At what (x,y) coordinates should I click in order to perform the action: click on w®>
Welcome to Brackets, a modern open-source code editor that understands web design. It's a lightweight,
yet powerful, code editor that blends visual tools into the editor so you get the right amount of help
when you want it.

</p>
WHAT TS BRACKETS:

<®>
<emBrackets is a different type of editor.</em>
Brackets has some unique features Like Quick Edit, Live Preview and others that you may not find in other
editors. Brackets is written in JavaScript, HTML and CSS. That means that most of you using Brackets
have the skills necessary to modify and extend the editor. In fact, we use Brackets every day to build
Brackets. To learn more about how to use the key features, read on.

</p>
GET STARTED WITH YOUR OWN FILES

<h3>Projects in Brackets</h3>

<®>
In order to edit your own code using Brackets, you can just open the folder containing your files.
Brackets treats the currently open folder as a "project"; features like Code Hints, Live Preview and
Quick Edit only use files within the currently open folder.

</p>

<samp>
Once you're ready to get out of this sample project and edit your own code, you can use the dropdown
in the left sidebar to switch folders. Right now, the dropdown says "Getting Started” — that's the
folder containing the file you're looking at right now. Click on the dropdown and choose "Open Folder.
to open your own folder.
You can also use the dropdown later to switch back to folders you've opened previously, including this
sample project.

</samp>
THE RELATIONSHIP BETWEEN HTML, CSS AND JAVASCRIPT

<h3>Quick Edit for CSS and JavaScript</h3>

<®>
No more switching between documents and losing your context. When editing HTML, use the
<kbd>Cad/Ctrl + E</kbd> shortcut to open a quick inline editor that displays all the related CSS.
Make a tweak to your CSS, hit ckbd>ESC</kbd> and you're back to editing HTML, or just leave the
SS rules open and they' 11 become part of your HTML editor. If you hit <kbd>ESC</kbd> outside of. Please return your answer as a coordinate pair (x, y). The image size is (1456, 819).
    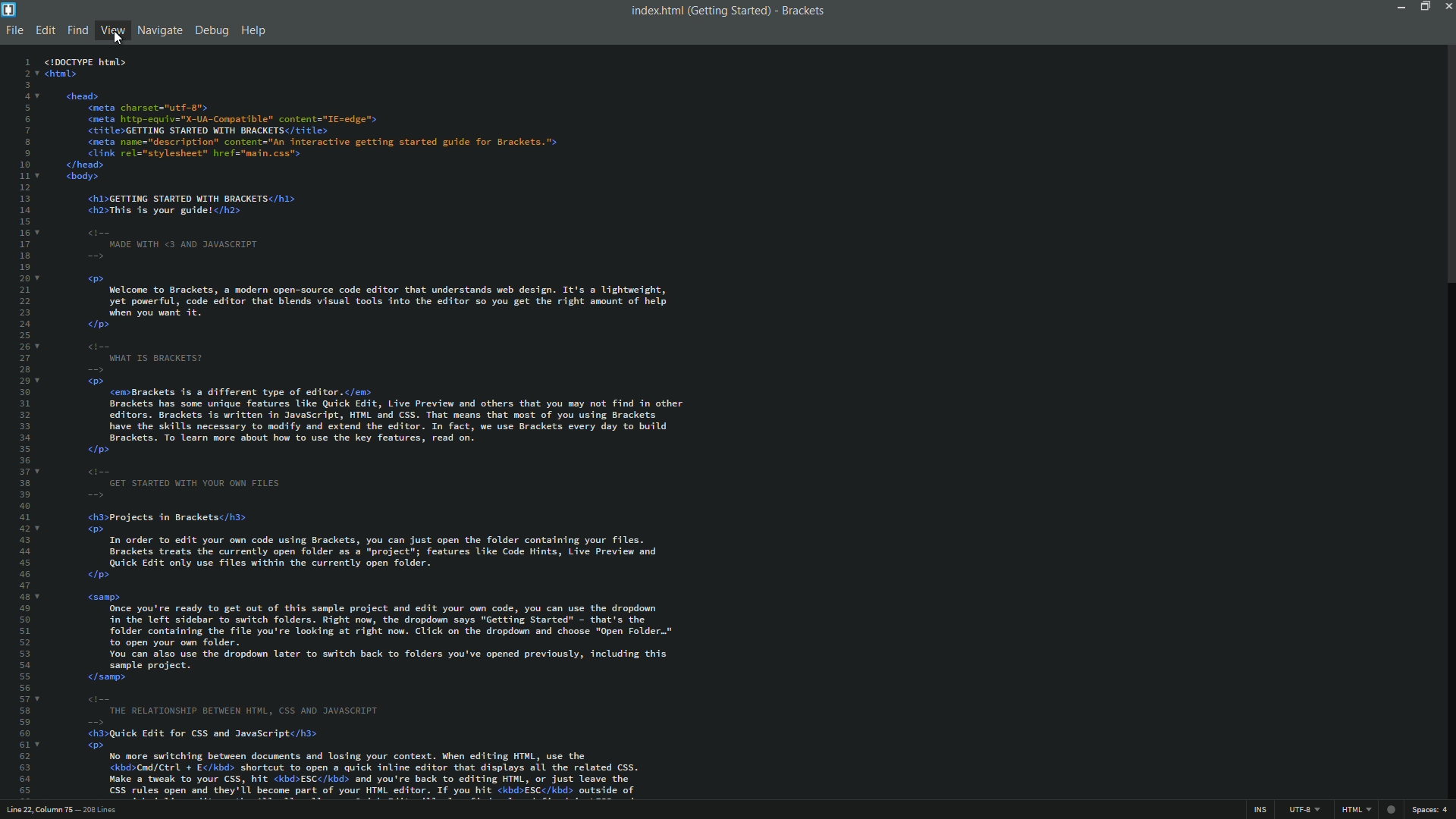
    Looking at the image, I should click on (381, 535).